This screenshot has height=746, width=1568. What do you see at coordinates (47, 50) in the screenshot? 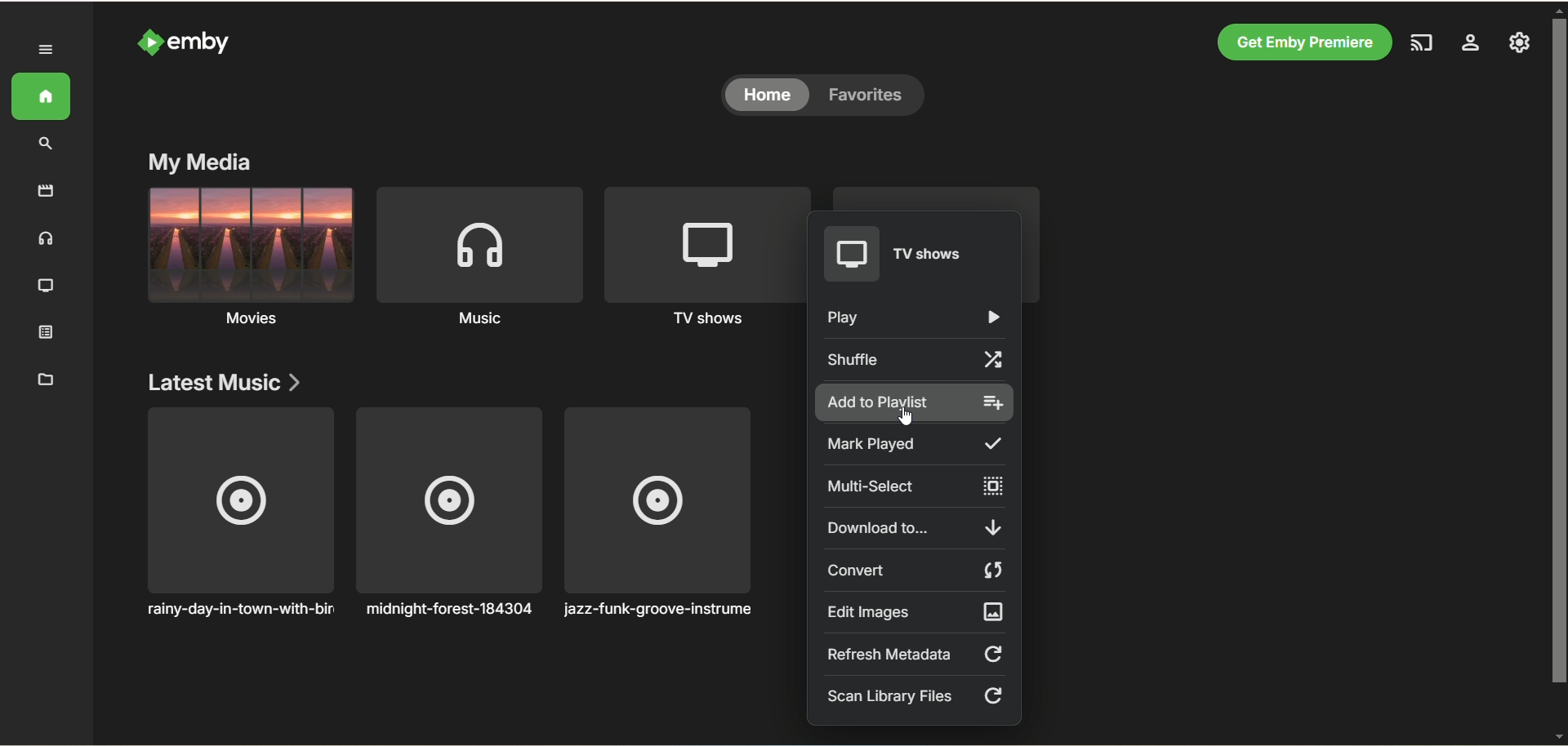
I see `expand` at bounding box center [47, 50].